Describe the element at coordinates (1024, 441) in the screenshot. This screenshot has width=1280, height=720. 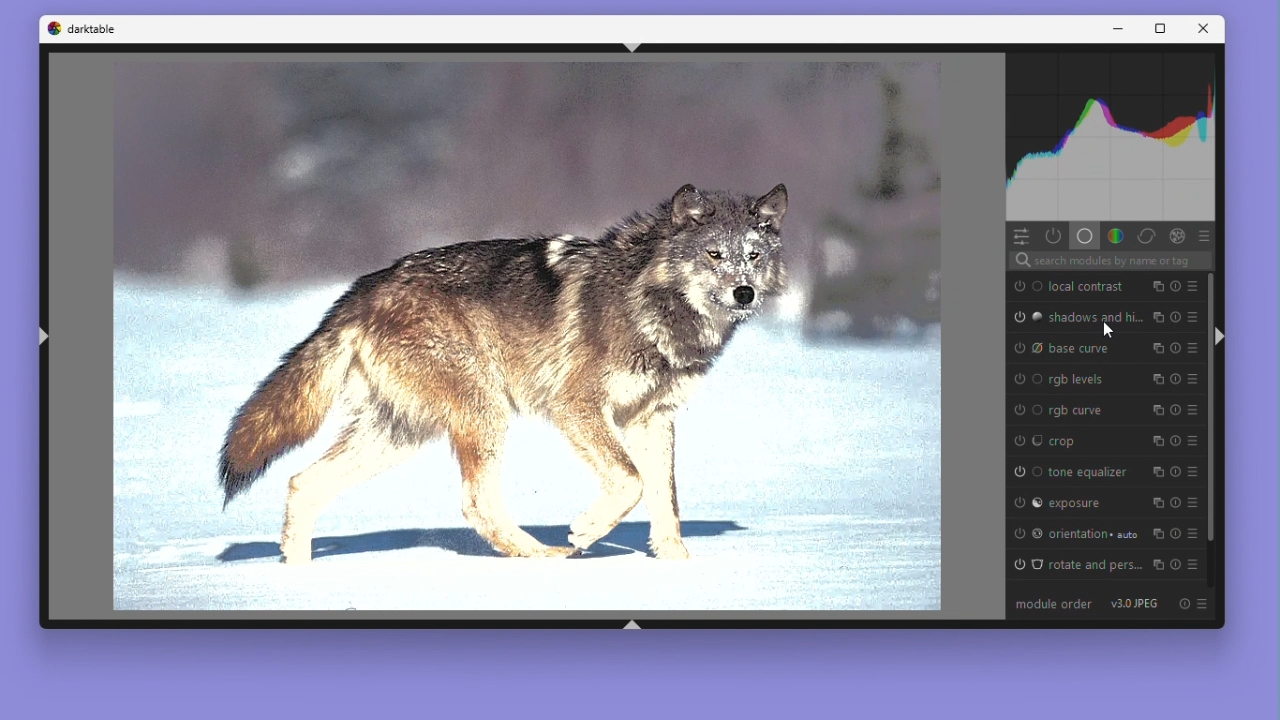
I see `'Crop' is switched on` at that location.